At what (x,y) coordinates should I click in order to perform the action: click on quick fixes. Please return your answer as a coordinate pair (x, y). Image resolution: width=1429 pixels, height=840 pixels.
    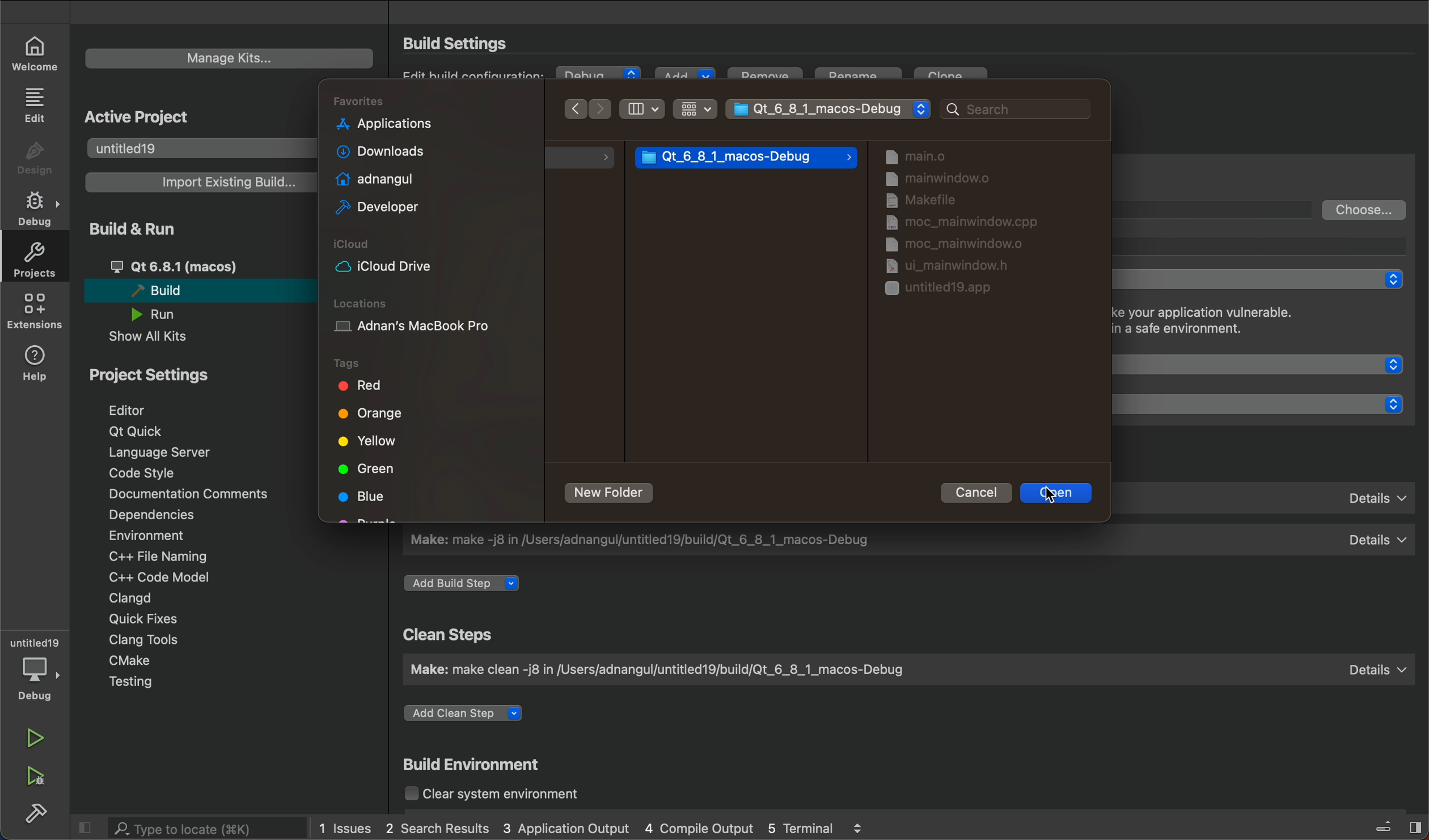
    Looking at the image, I should click on (139, 618).